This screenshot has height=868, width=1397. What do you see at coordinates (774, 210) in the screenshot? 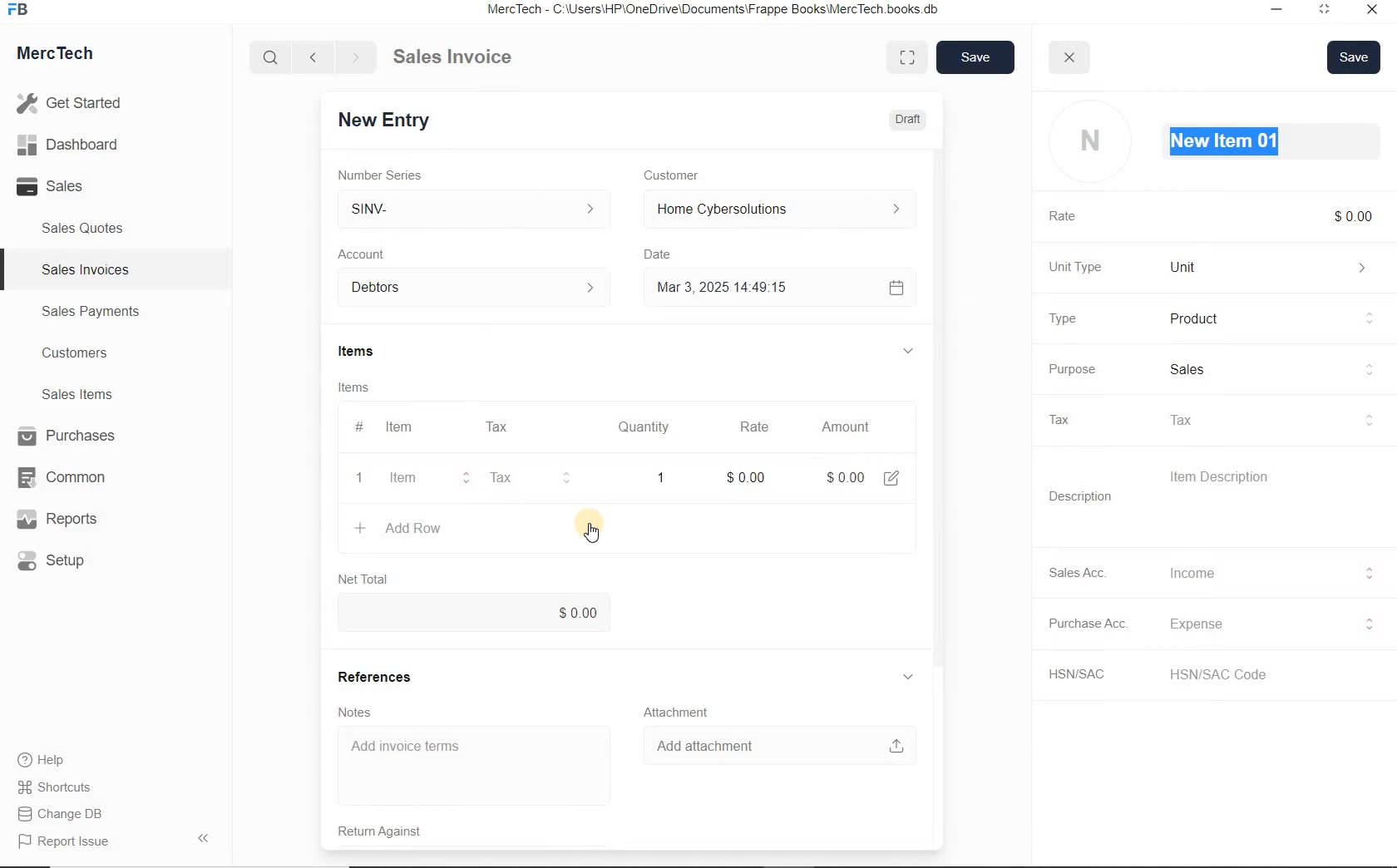
I see `Home Cyber Solutions` at bounding box center [774, 210].